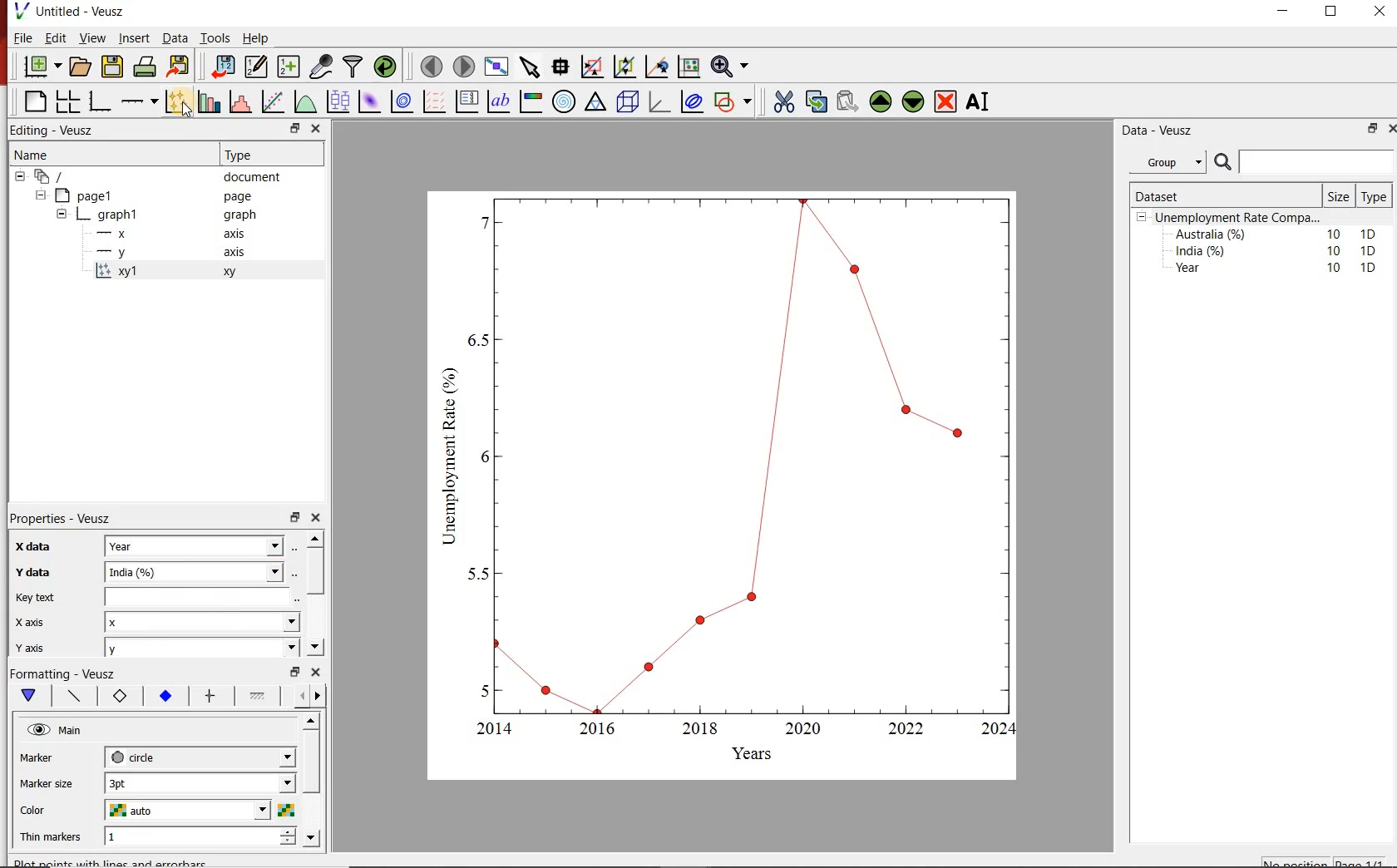 The image size is (1397, 868). What do you see at coordinates (565, 102) in the screenshot?
I see `polar graph` at bounding box center [565, 102].